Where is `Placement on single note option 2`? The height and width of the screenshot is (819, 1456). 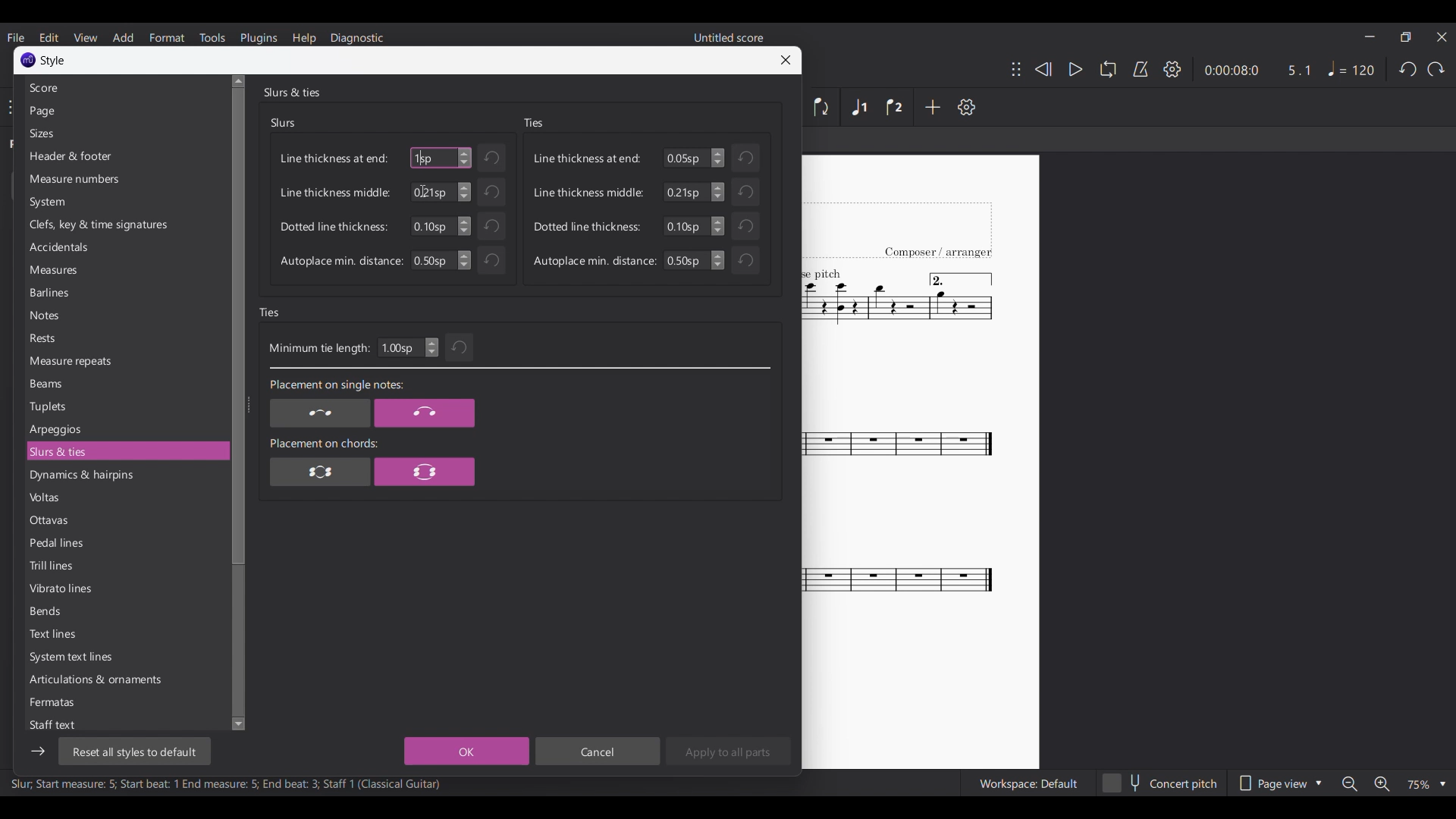
Placement on single note option 2 is located at coordinates (425, 413).